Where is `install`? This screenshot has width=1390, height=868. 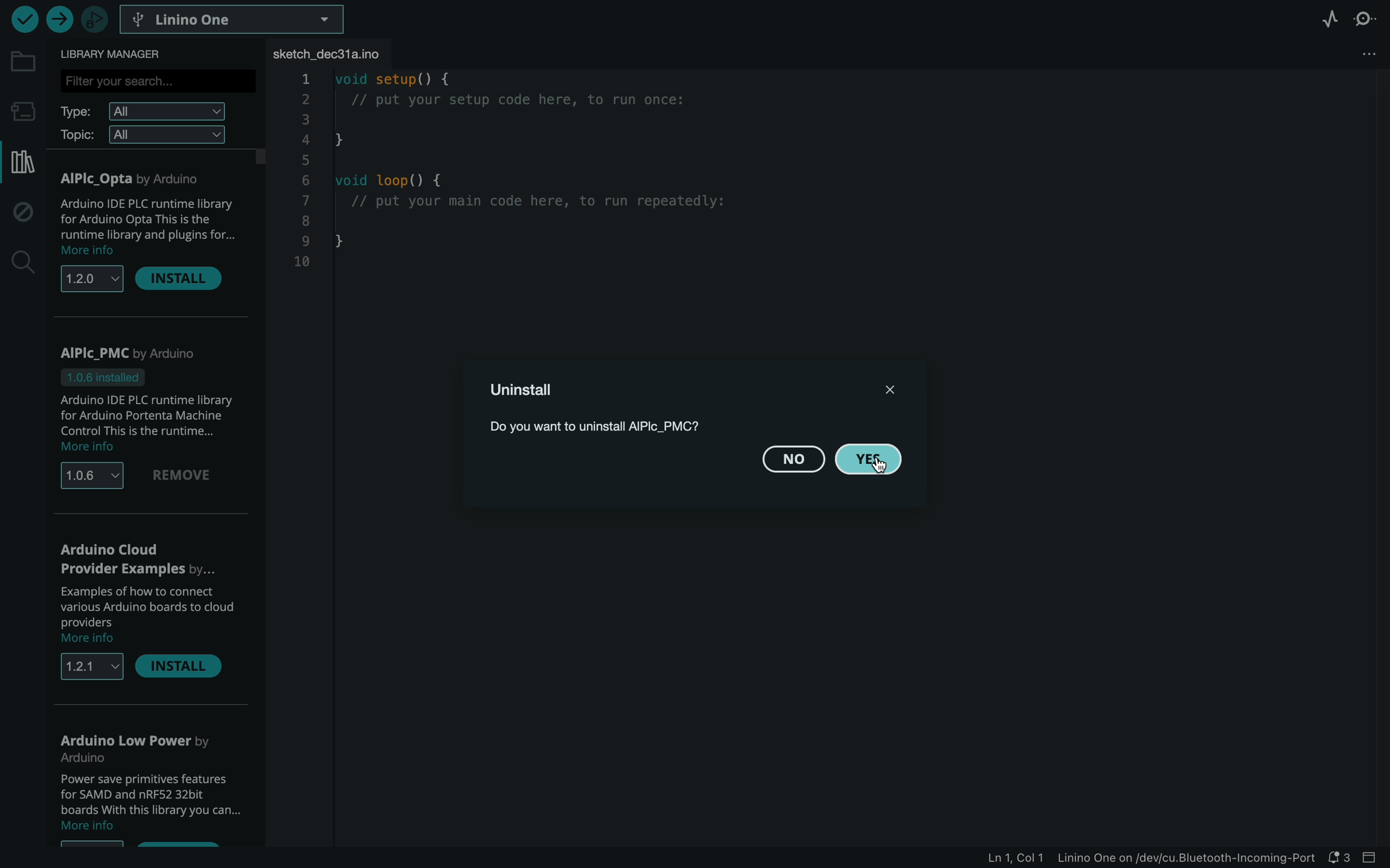
install is located at coordinates (180, 843).